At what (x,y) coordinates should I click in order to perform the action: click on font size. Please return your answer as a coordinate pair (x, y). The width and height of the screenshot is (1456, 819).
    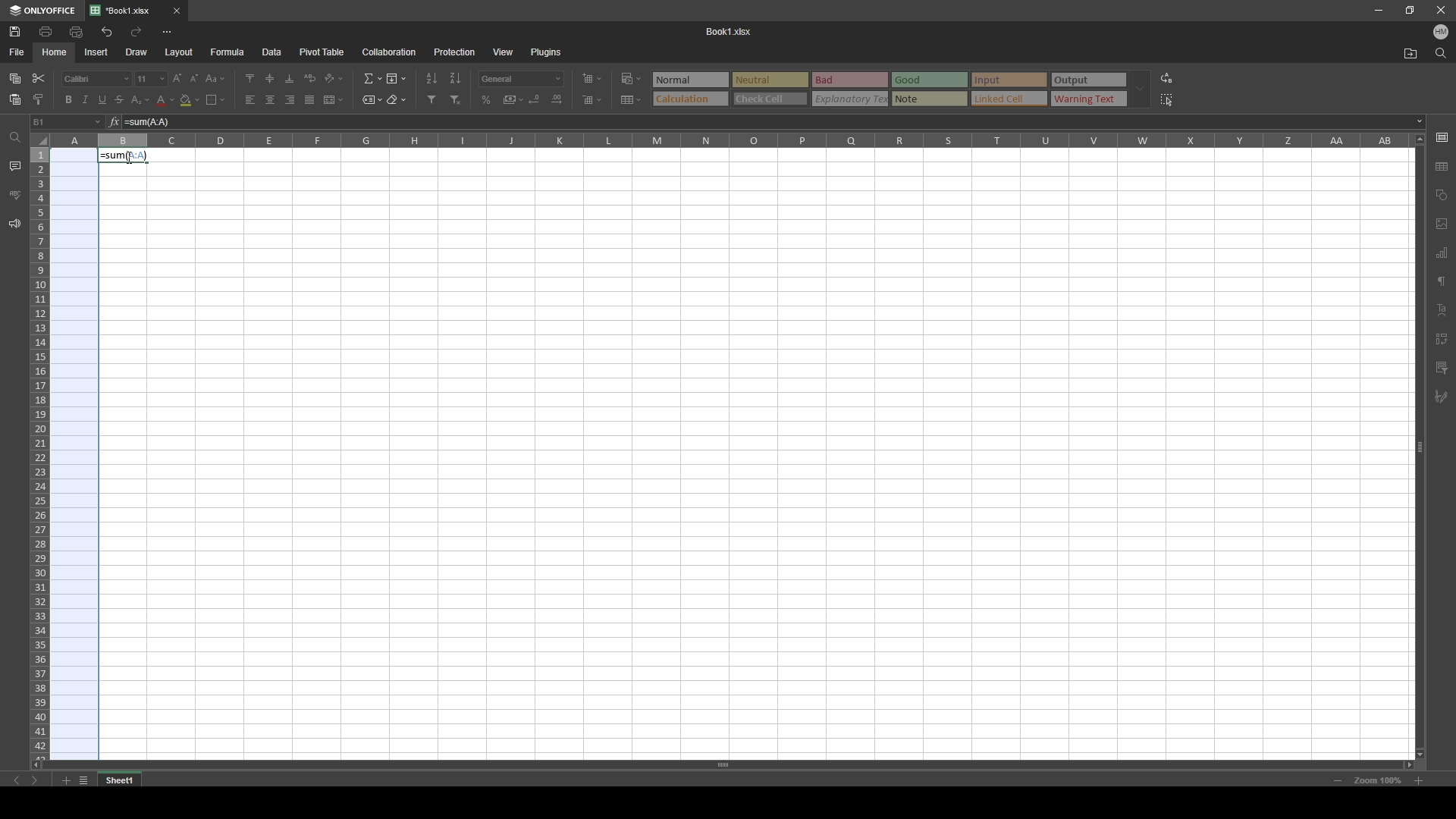
    Looking at the image, I should click on (150, 79).